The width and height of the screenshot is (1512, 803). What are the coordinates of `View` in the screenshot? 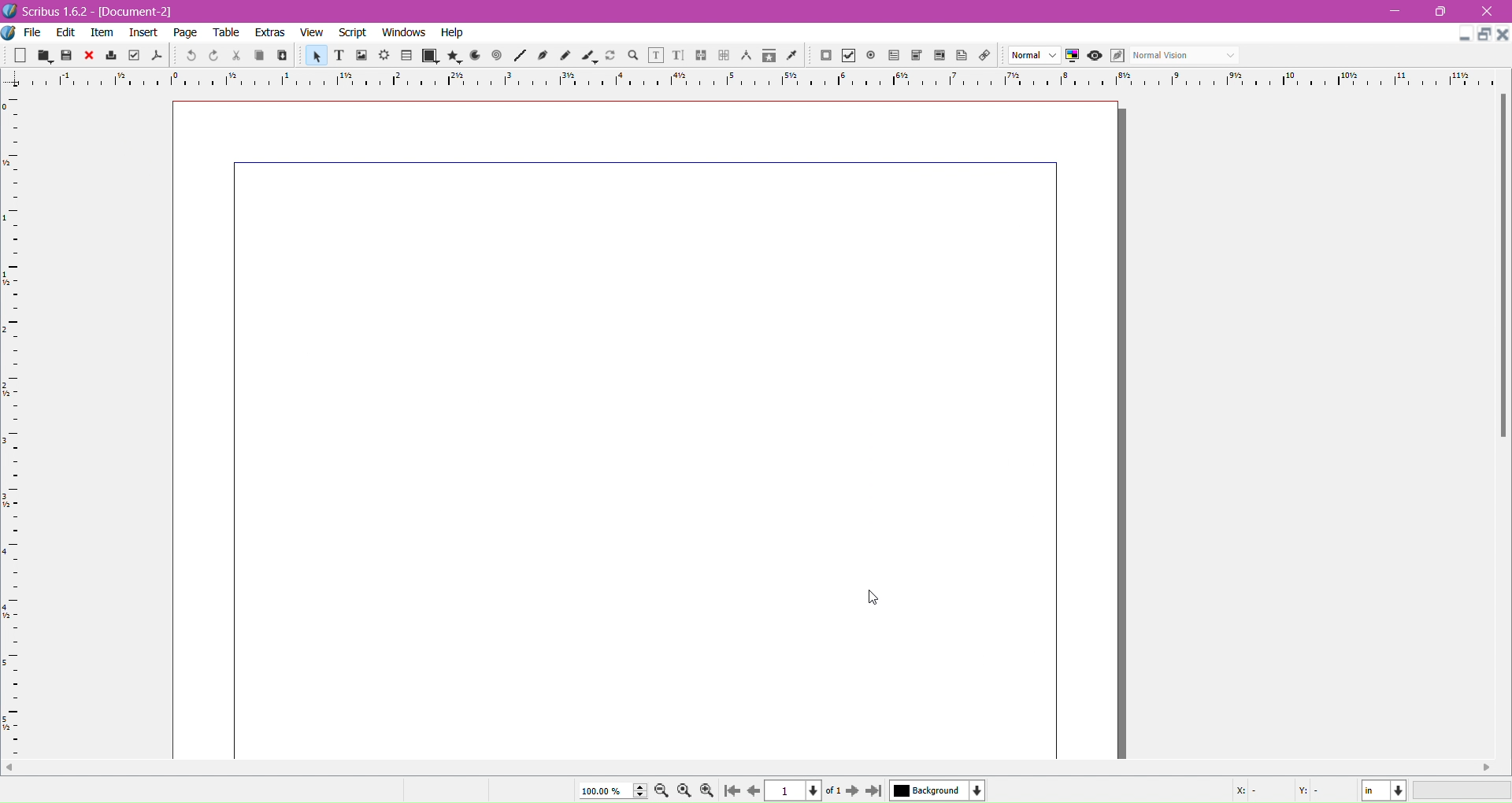 It's located at (313, 34).